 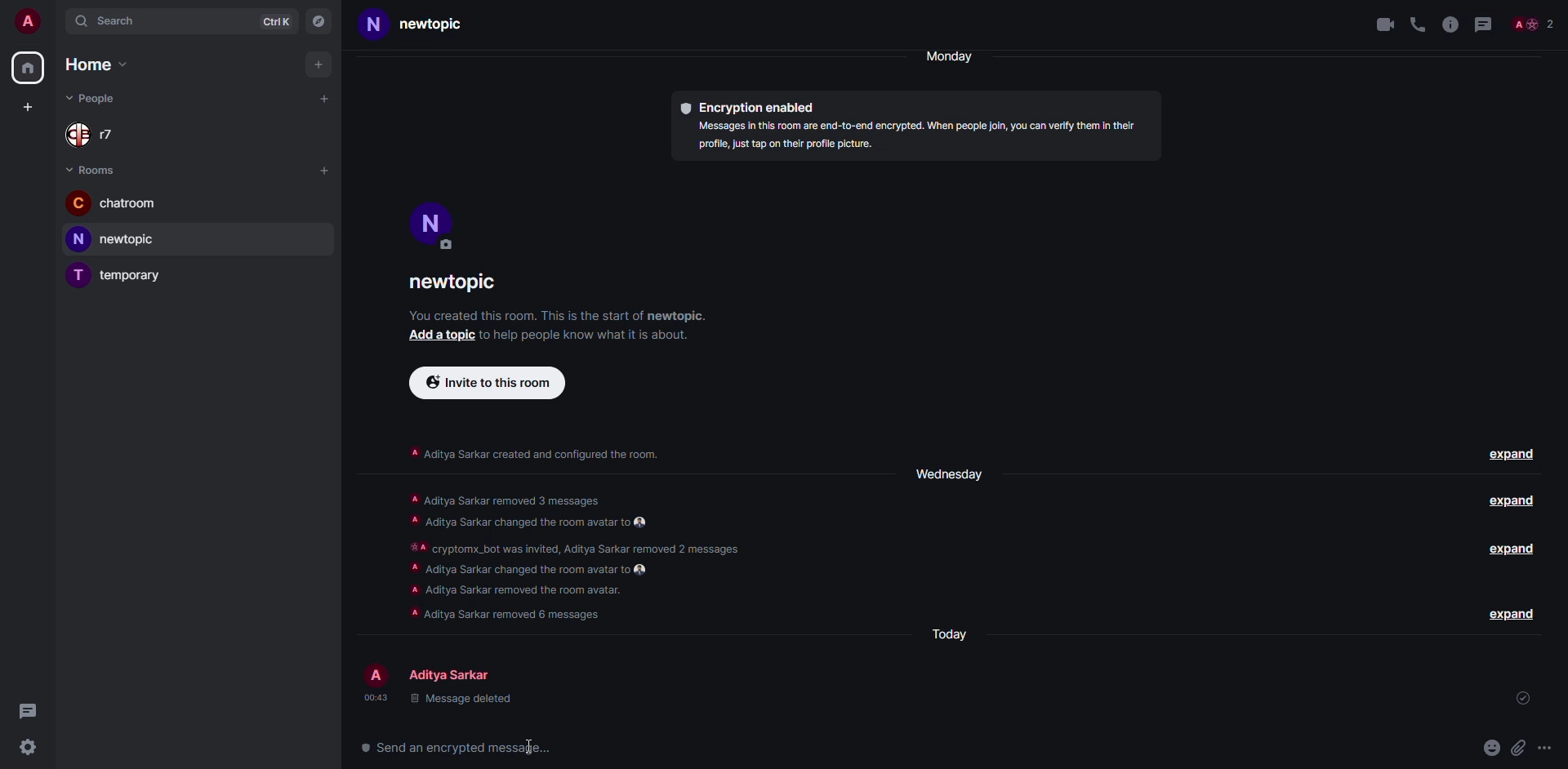 What do you see at coordinates (1515, 502) in the screenshot?
I see `expand` at bounding box center [1515, 502].